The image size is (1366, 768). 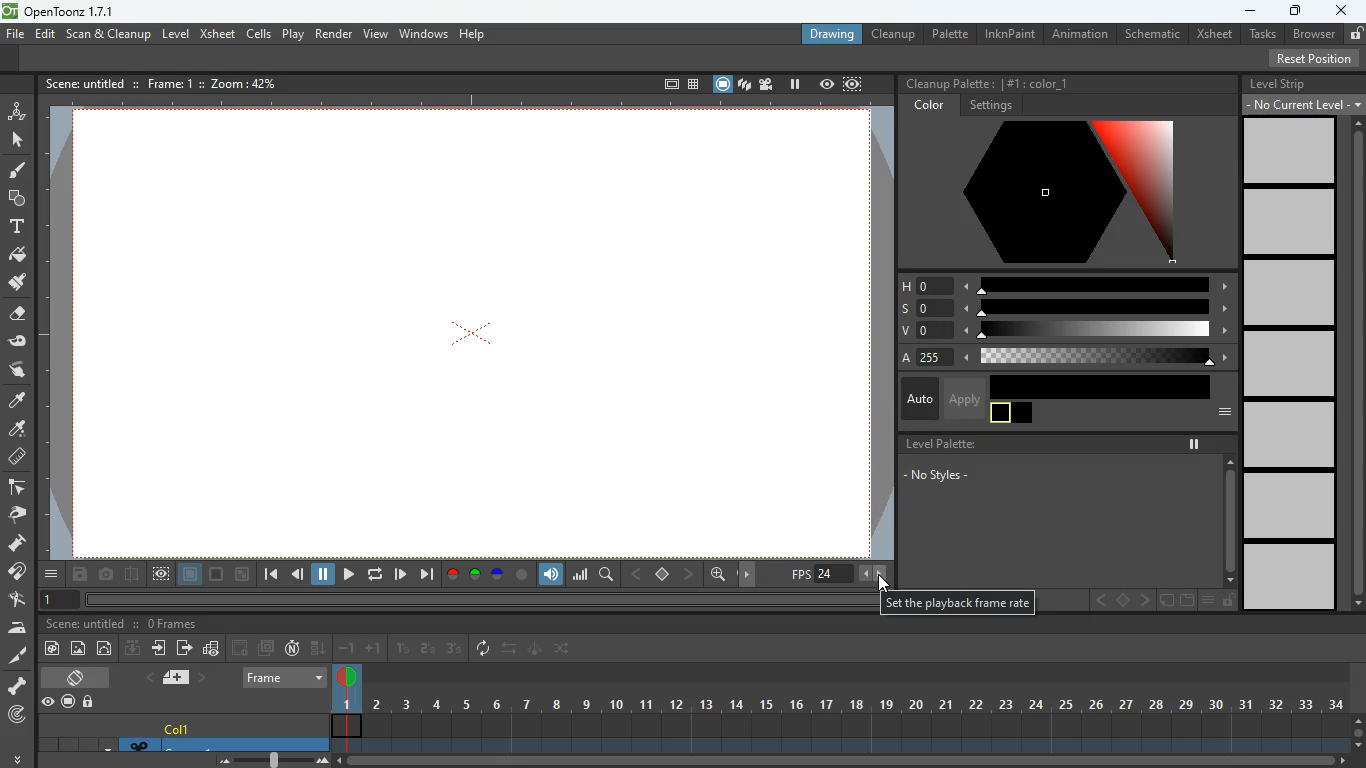 What do you see at coordinates (483, 650) in the screenshot?
I see `reverse` at bounding box center [483, 650].